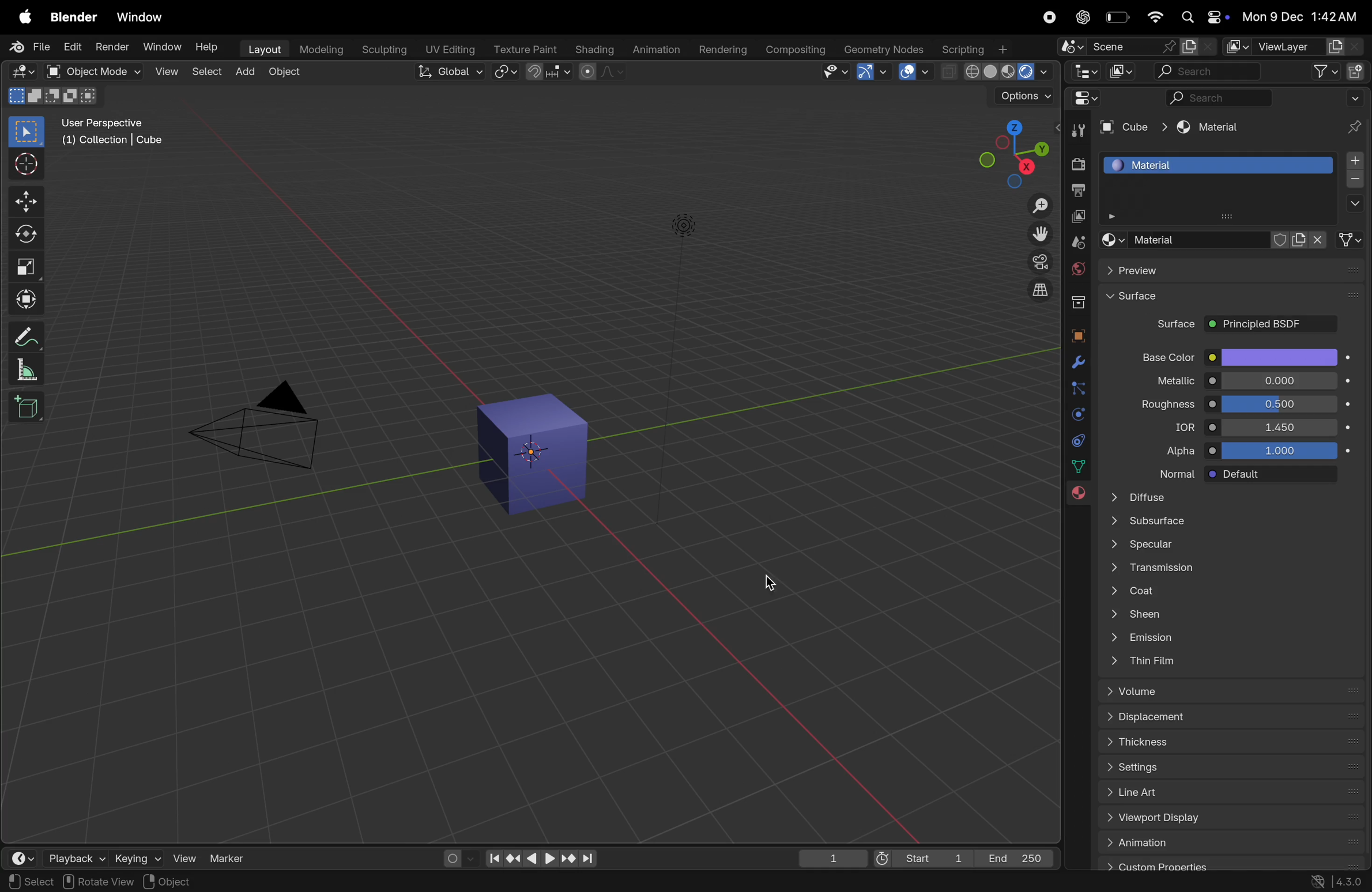  Describe the element at coordinates (536, 455) in the screenshot. I see `cube` at that location.